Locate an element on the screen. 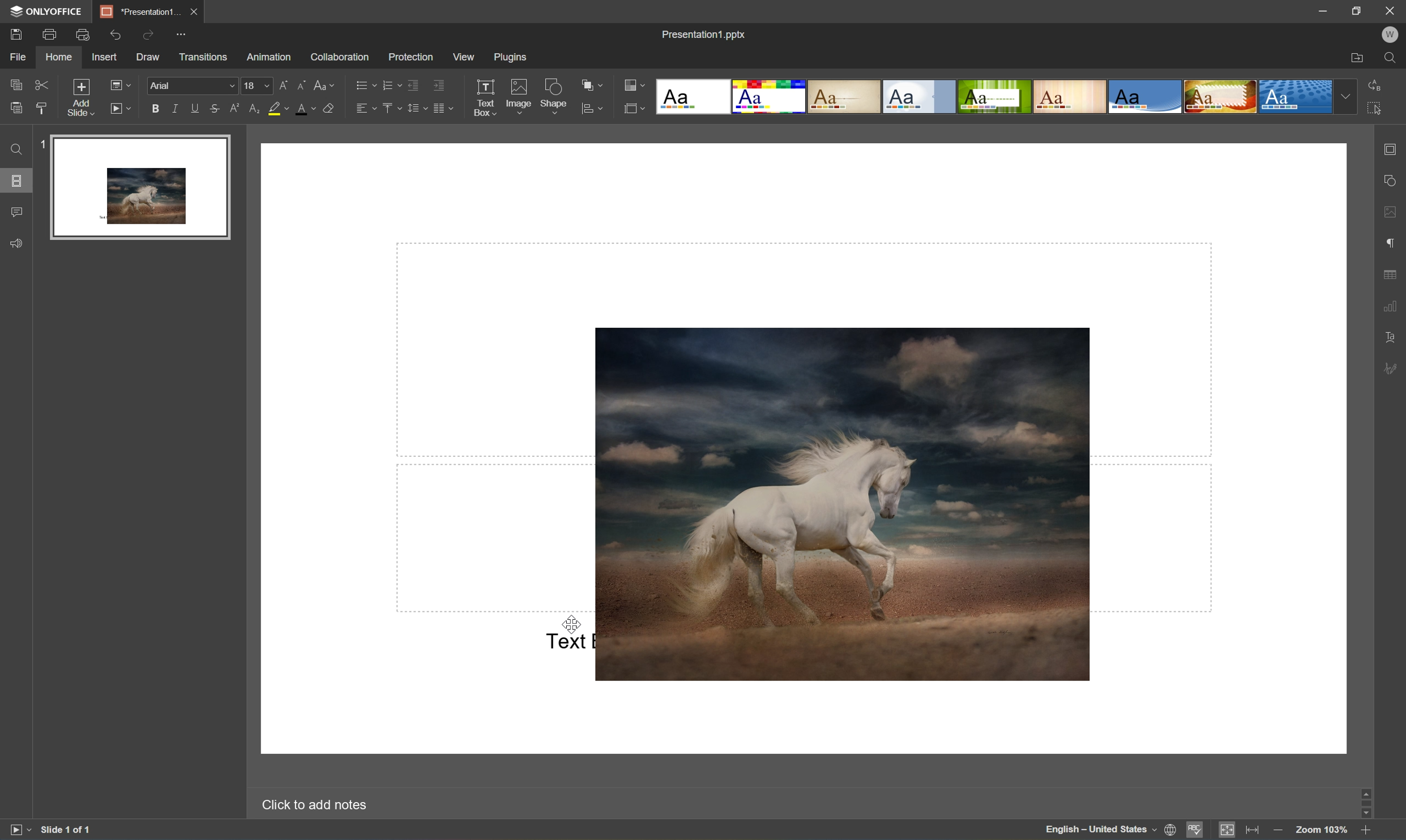 The image size is (1406, 840). Zoom 103% is located at coordinates (1322, 829).